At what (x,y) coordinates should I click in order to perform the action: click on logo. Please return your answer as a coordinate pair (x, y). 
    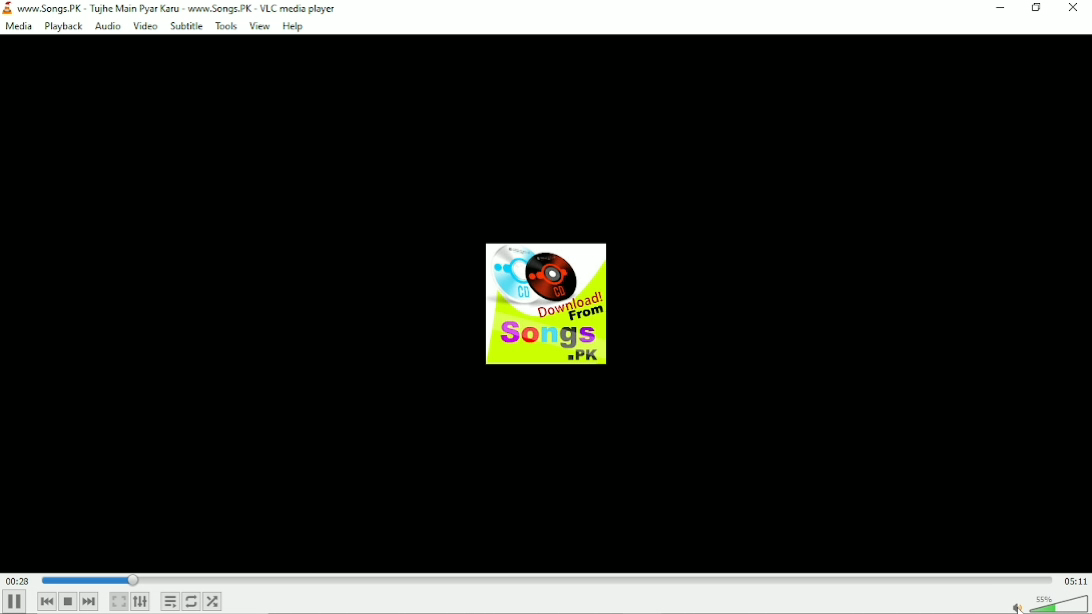
    Looking at the image, I should click on (8, 7).